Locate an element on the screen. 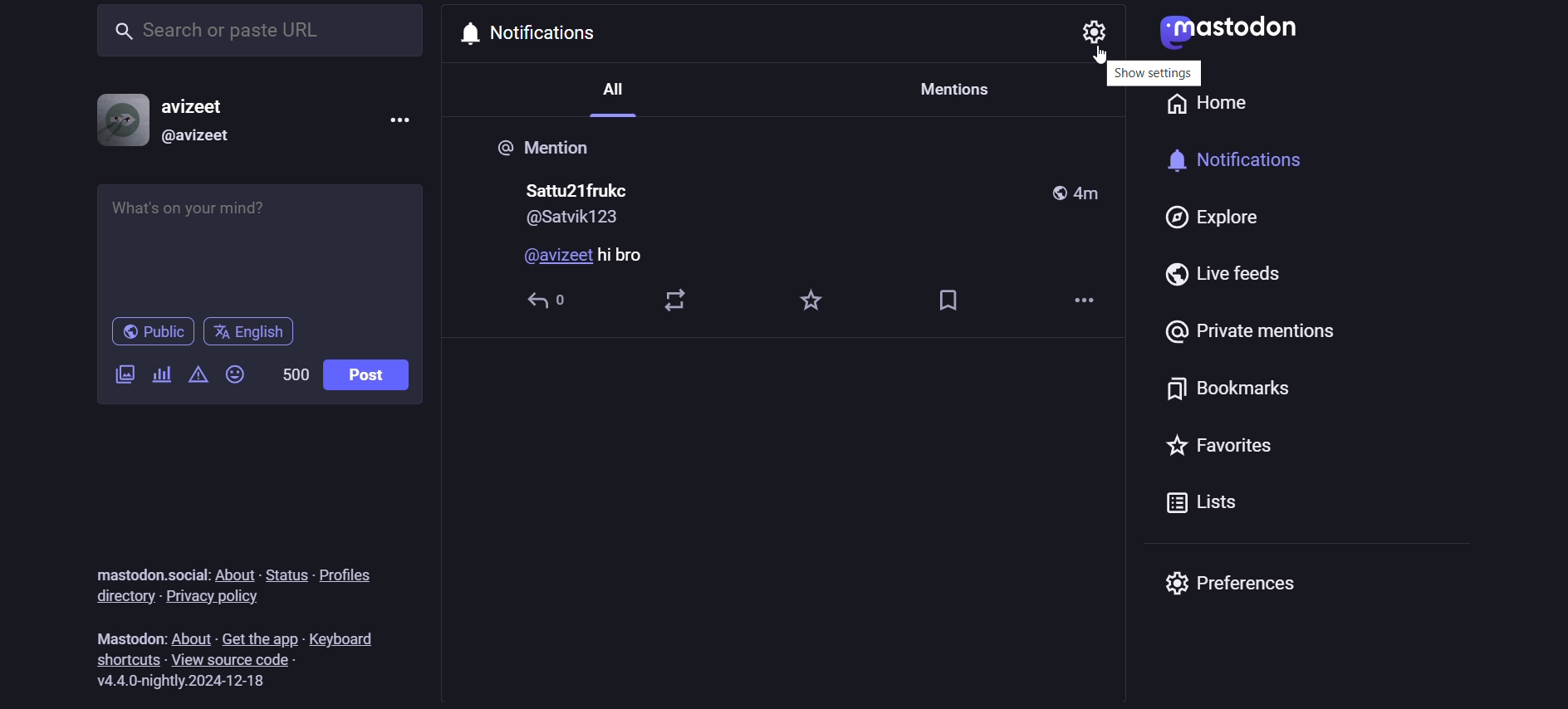 The image size is (1568, 709). View Source Code is located at coordinates (238, 660).